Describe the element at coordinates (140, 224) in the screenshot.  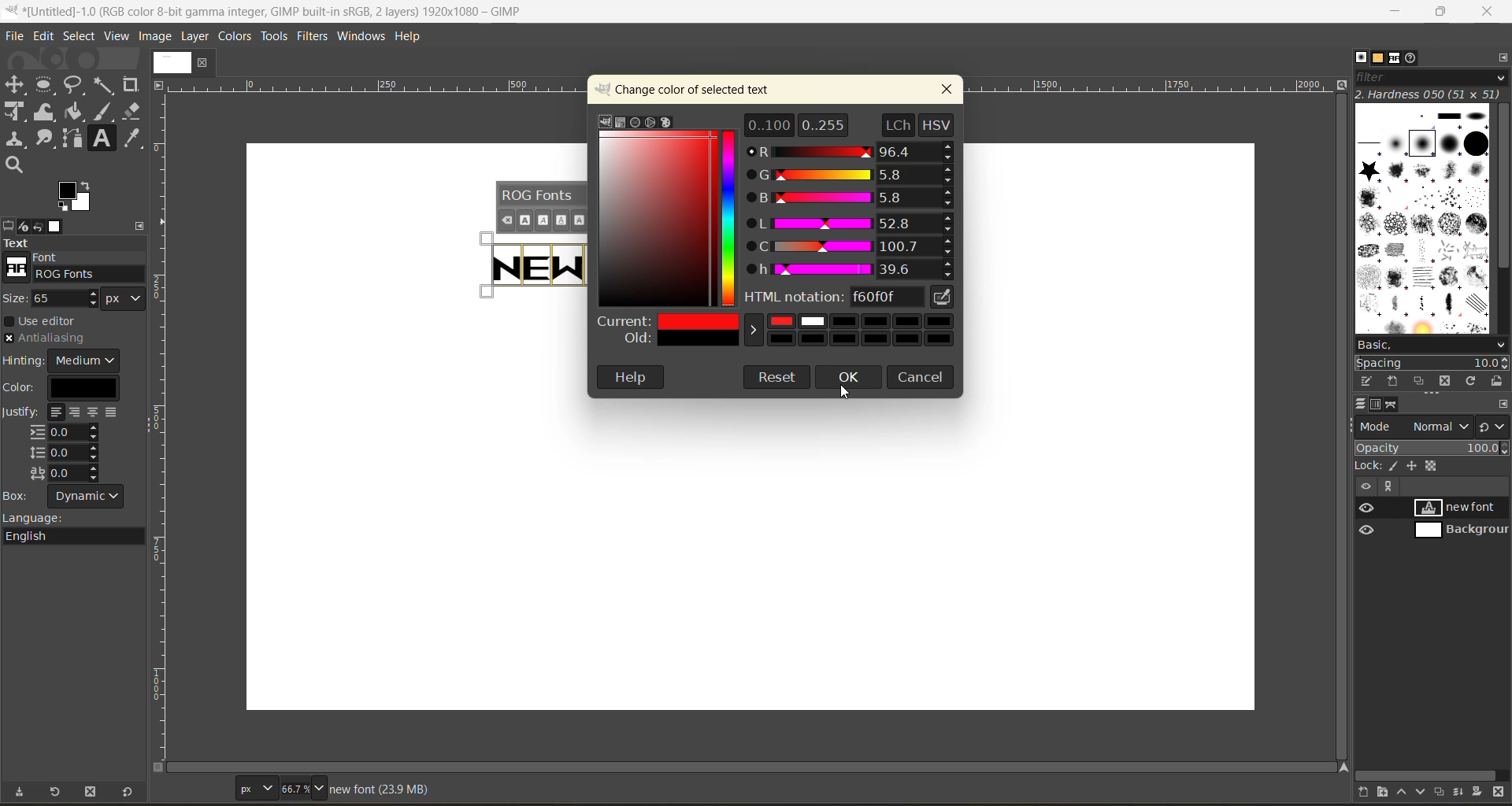
I see `configure` at that location.